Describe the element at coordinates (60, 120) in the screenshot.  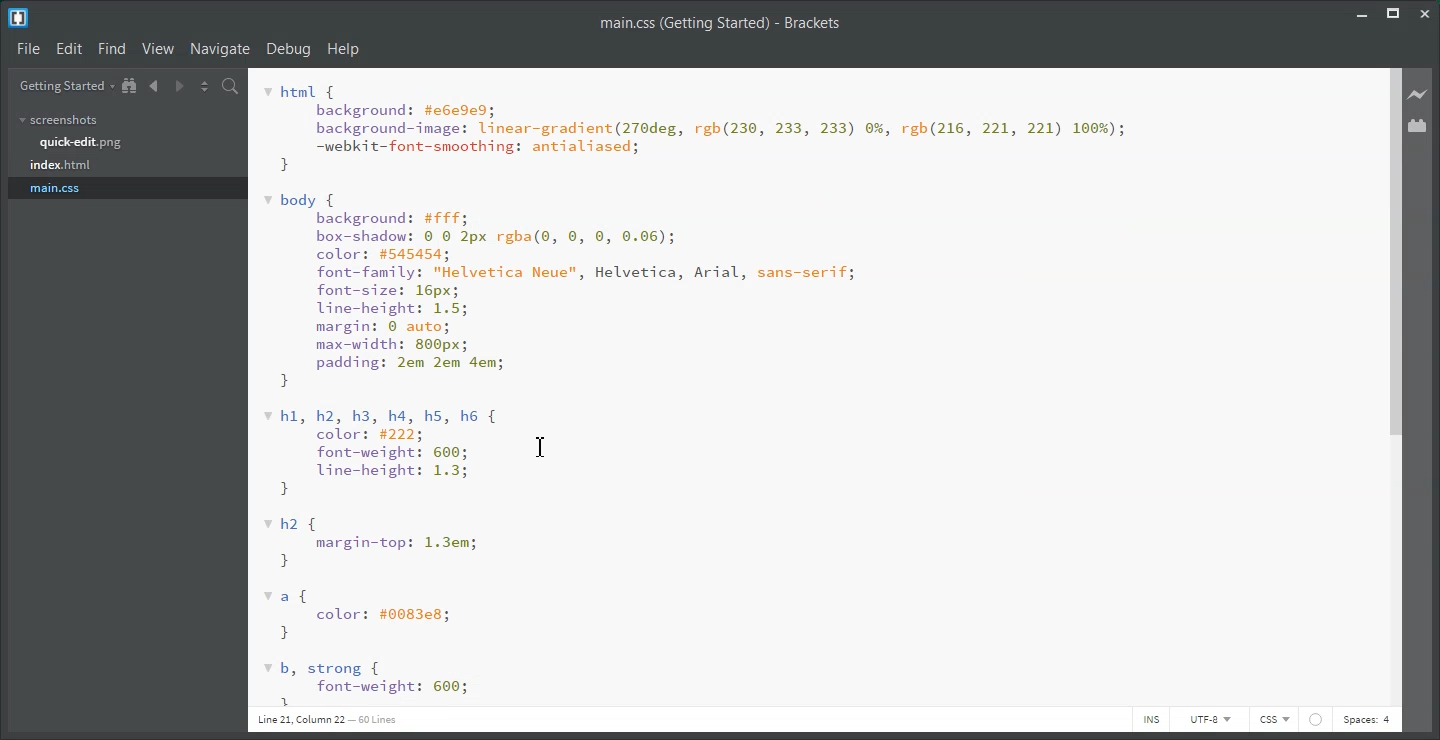
I see `screenshots` at that location.